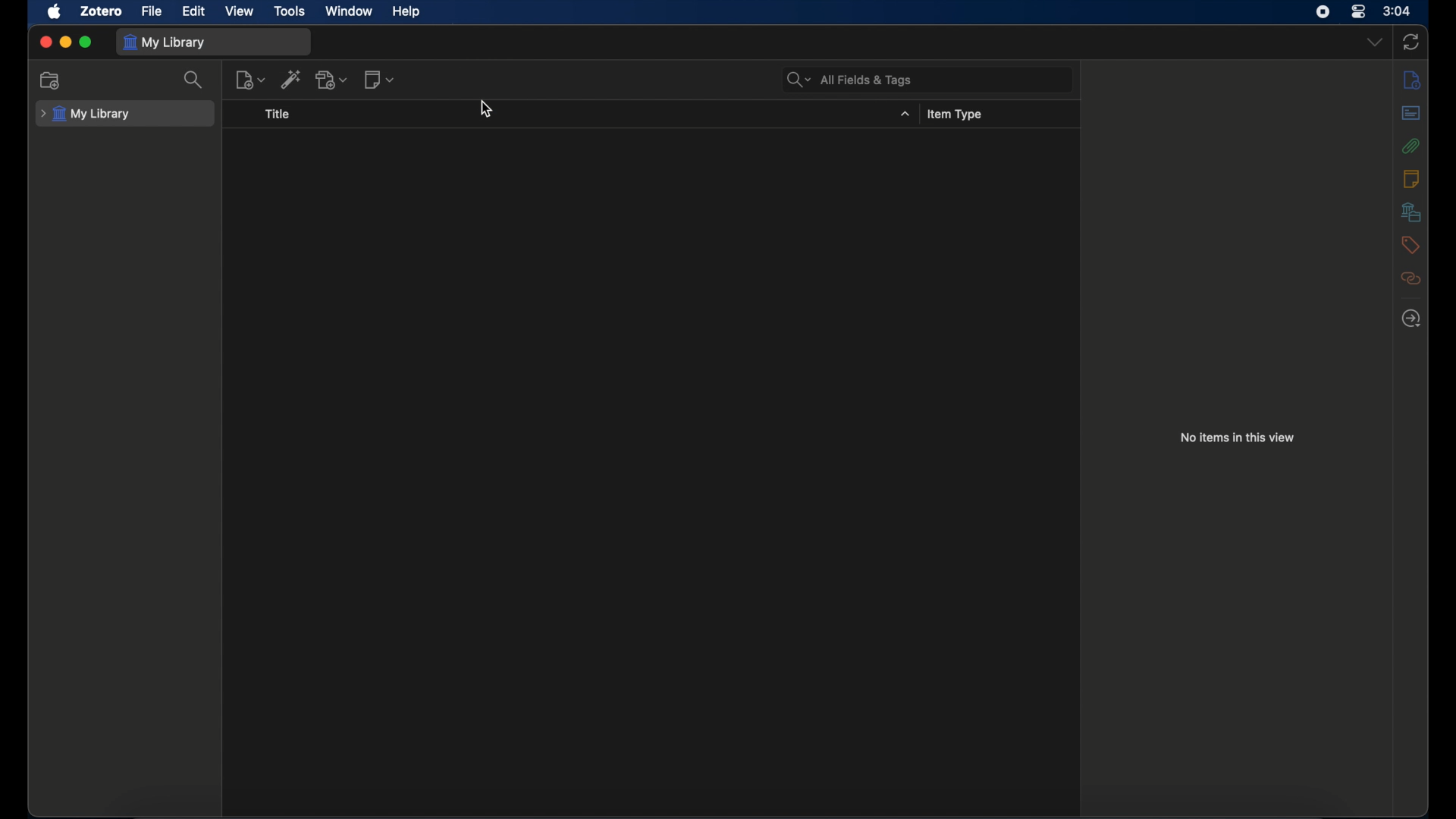 The width and height of the screenshot is (1456, 819). I want to click on my library, so click(165, 42).